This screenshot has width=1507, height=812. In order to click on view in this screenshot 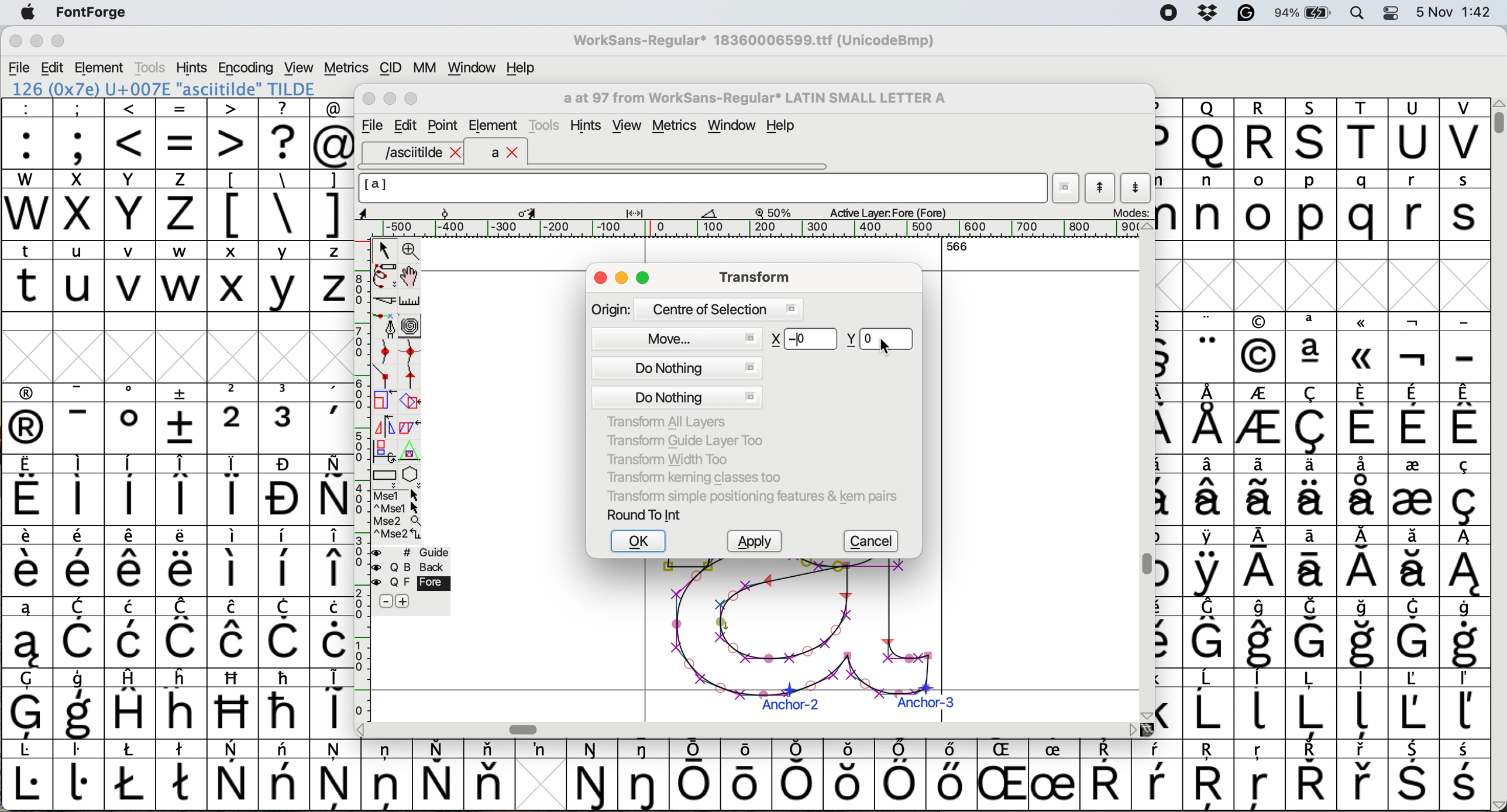, I will do `click(626, 126)`.